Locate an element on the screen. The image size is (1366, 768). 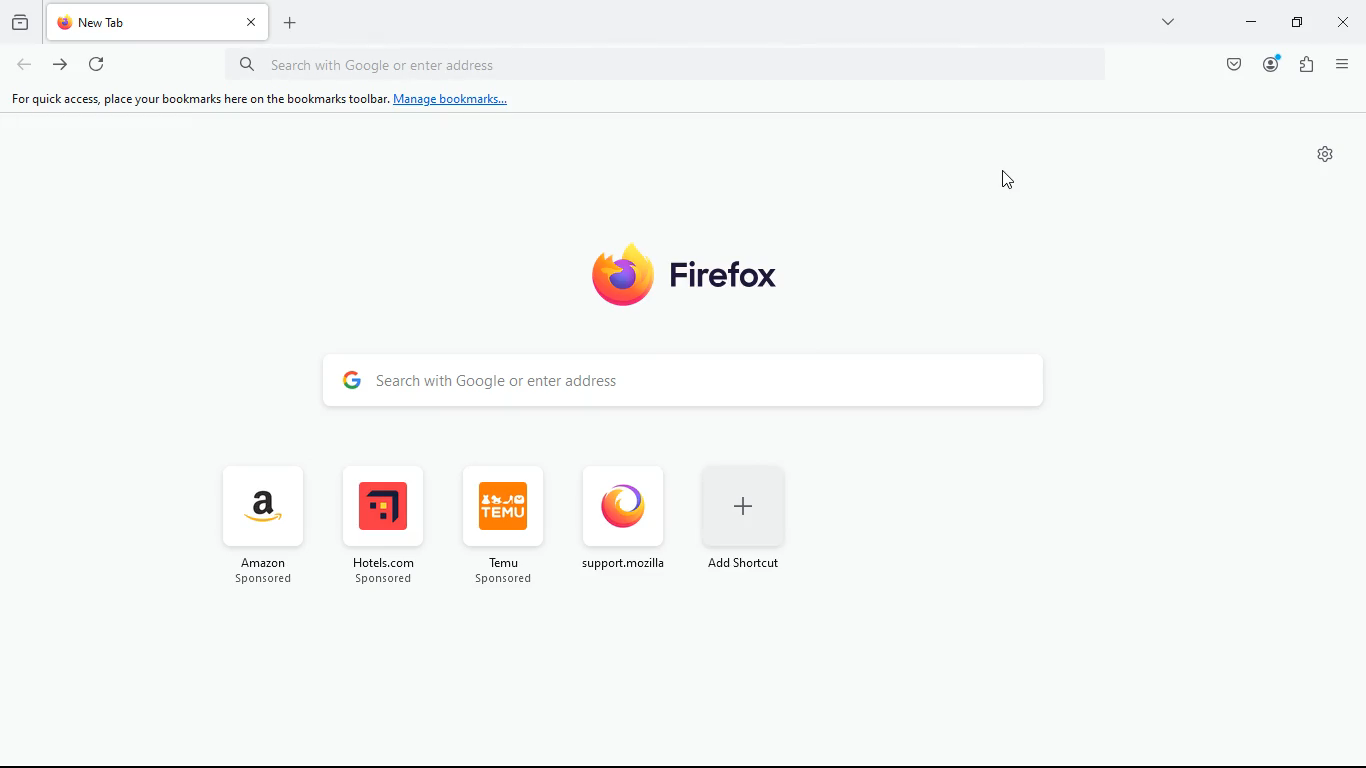
add shortcut is located at coordinates (747, 526).